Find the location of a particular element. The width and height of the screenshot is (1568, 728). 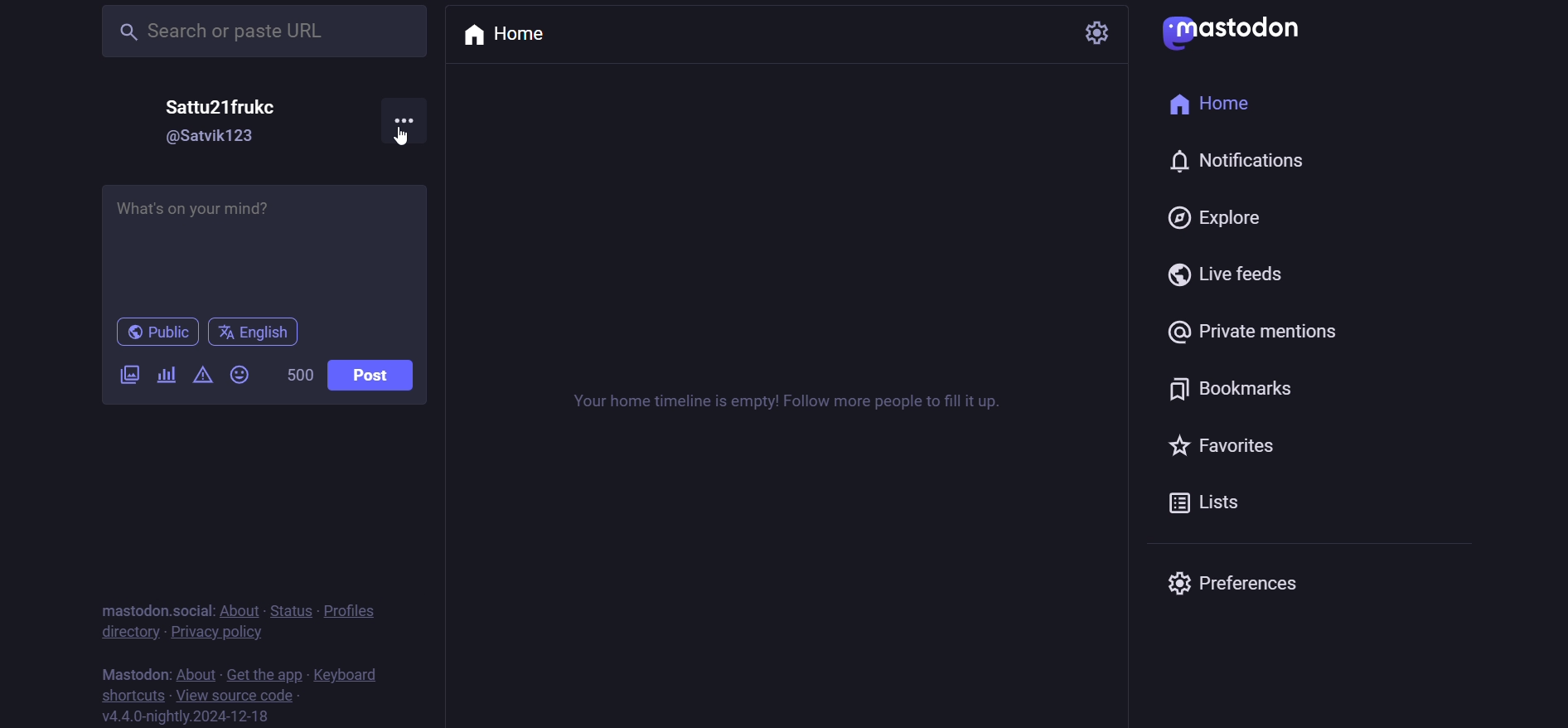

setting is located at coordinates (1100, 30).